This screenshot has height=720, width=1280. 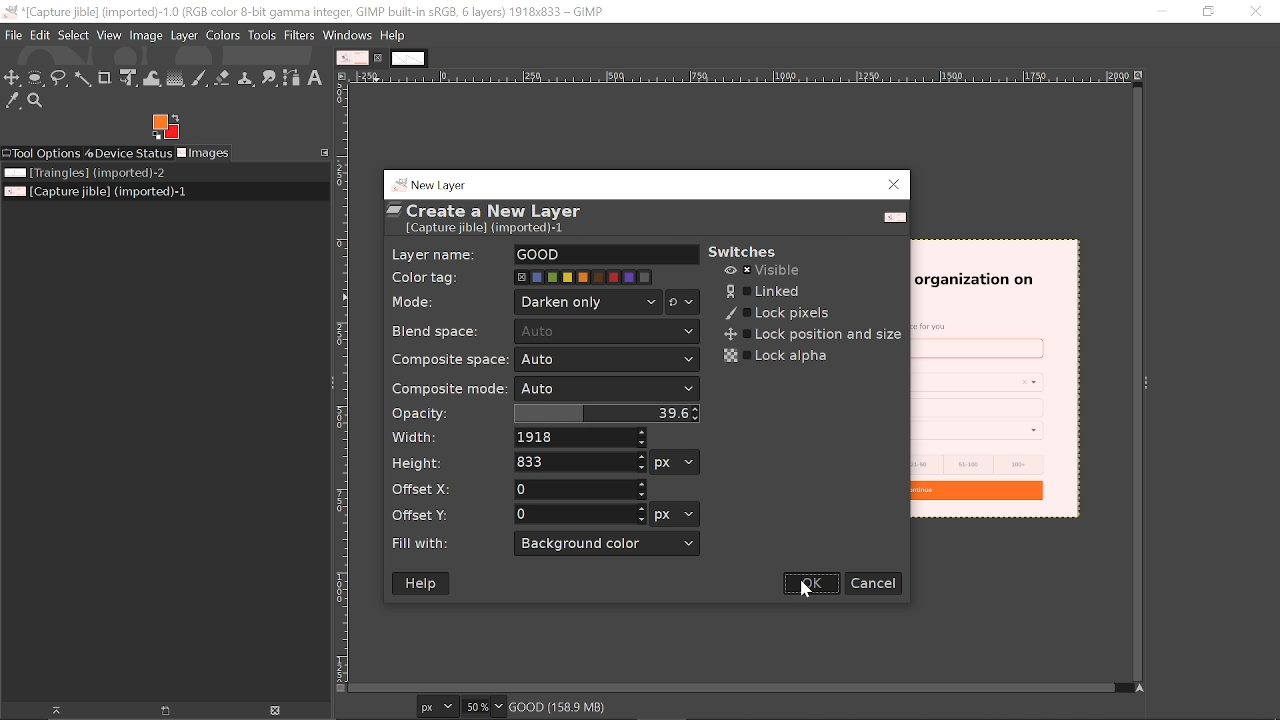 I want to click on Composite mode:, so click(x=445, y=388).